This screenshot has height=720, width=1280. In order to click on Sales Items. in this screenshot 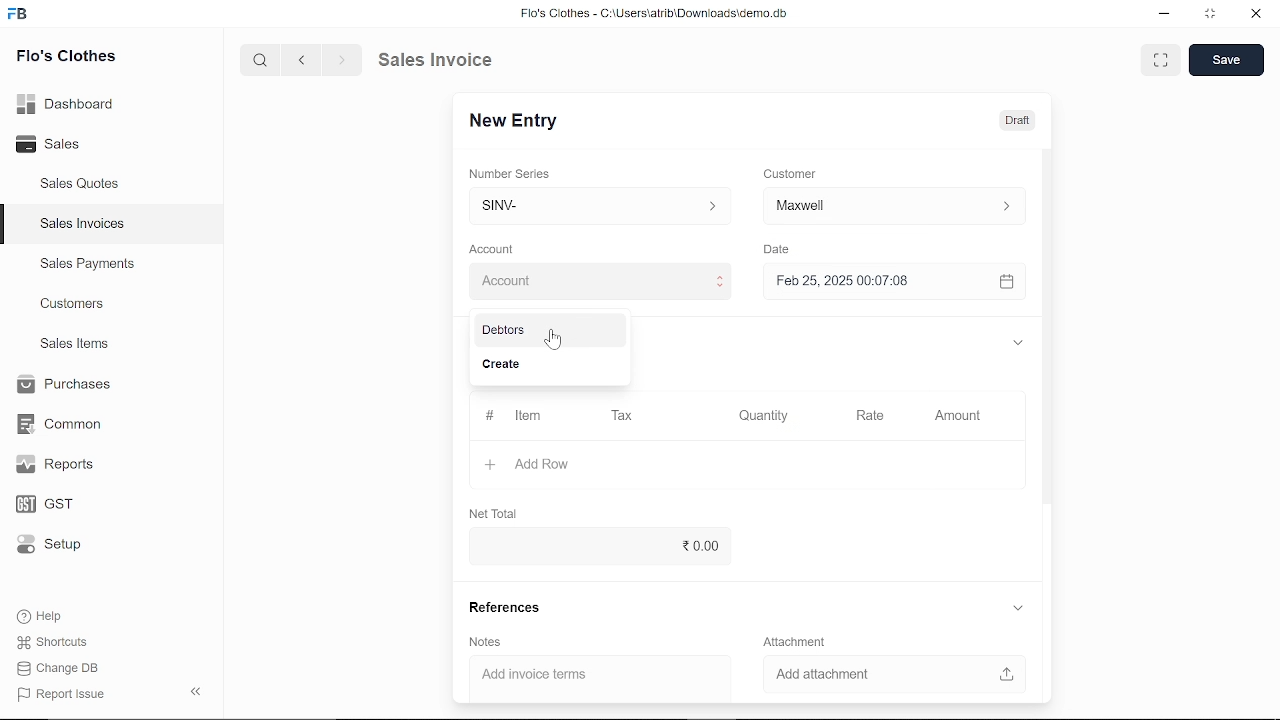, I will do `click(76, 345)`.